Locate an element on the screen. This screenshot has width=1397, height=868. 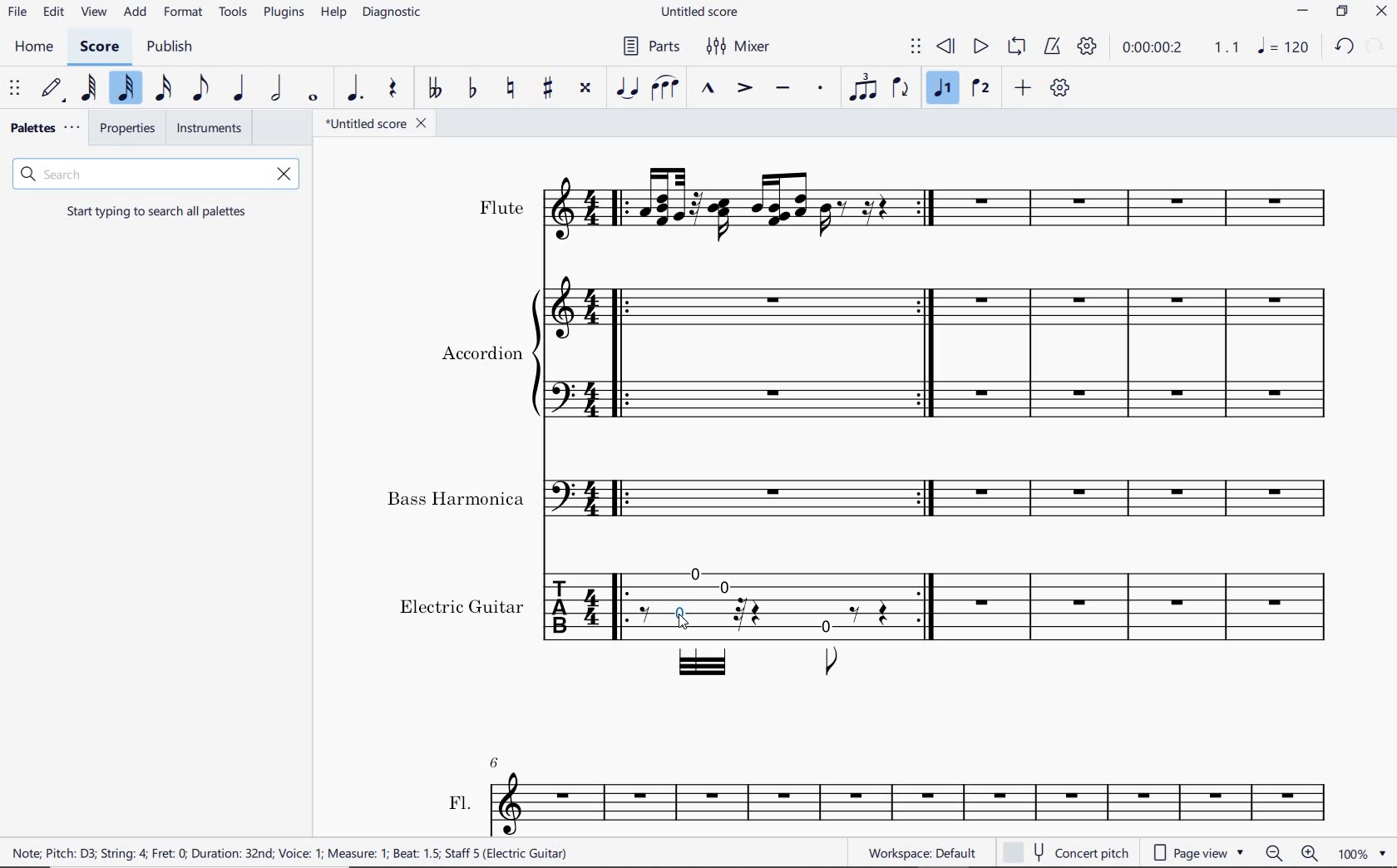
file is located at coordinates (18, 13).